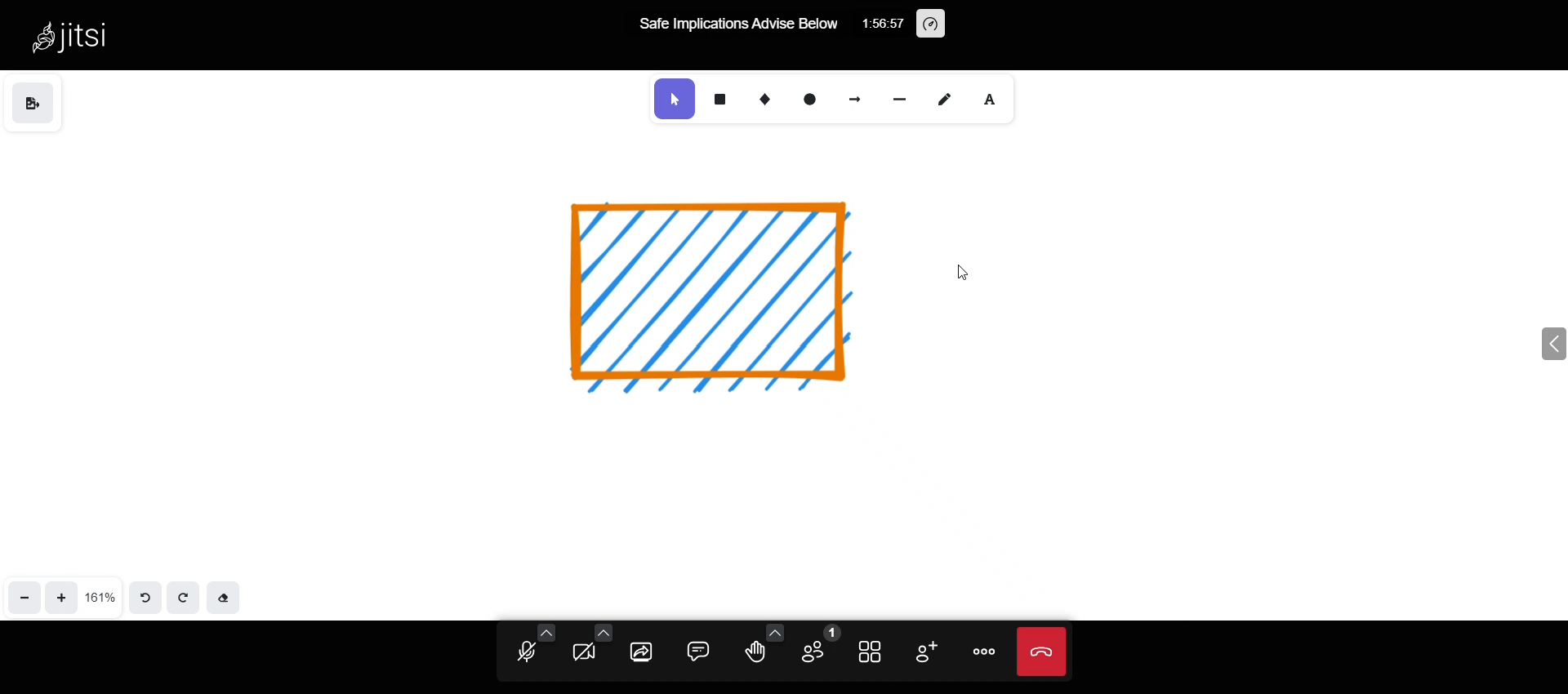 This screenshot has width=1568, height=694. I want to click on diamond, so click(767, 100).